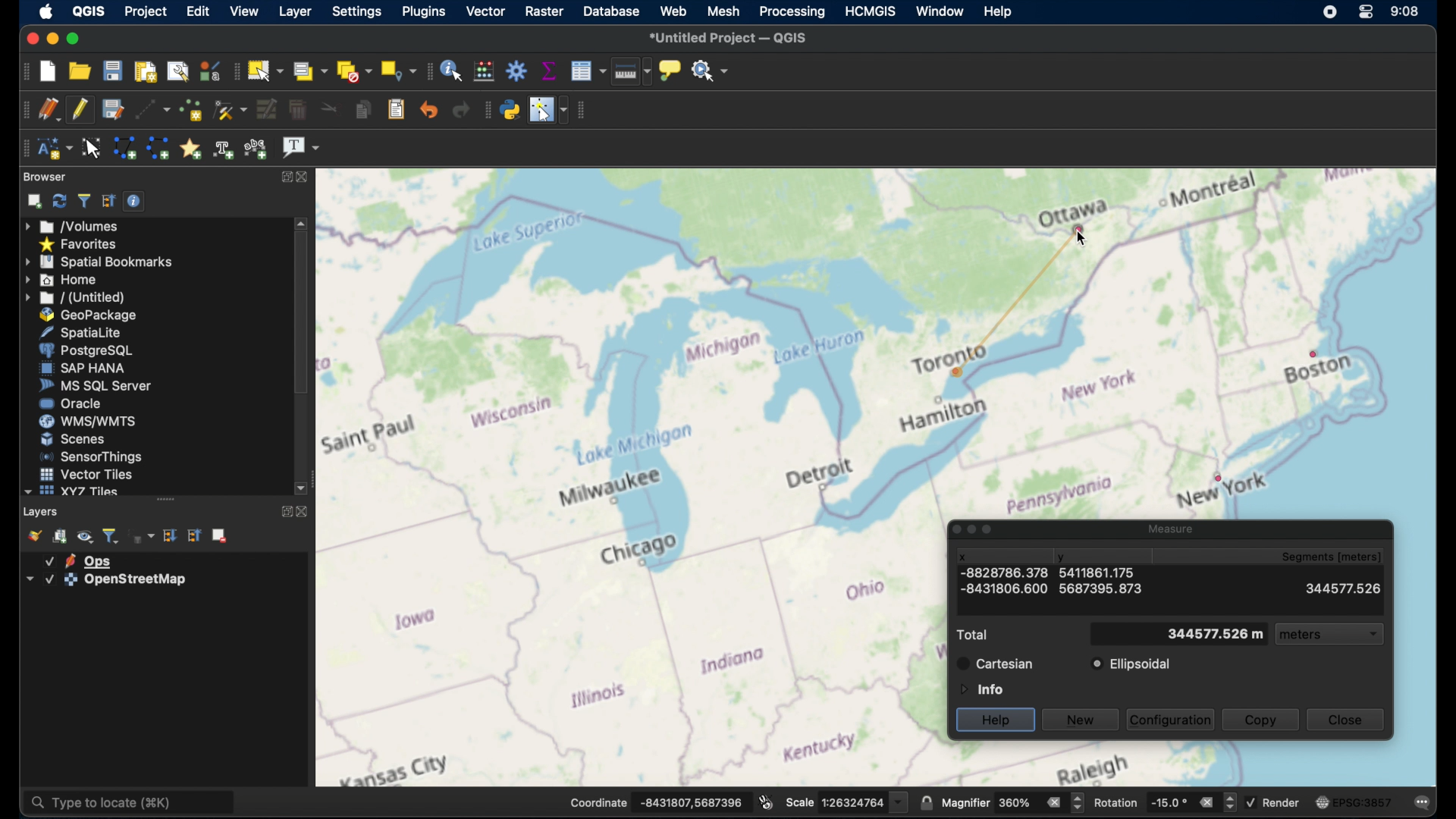  What do you see at coordinates (397, 71) in the screenshot?
I see `select by location` at bounding box center [397, 71].